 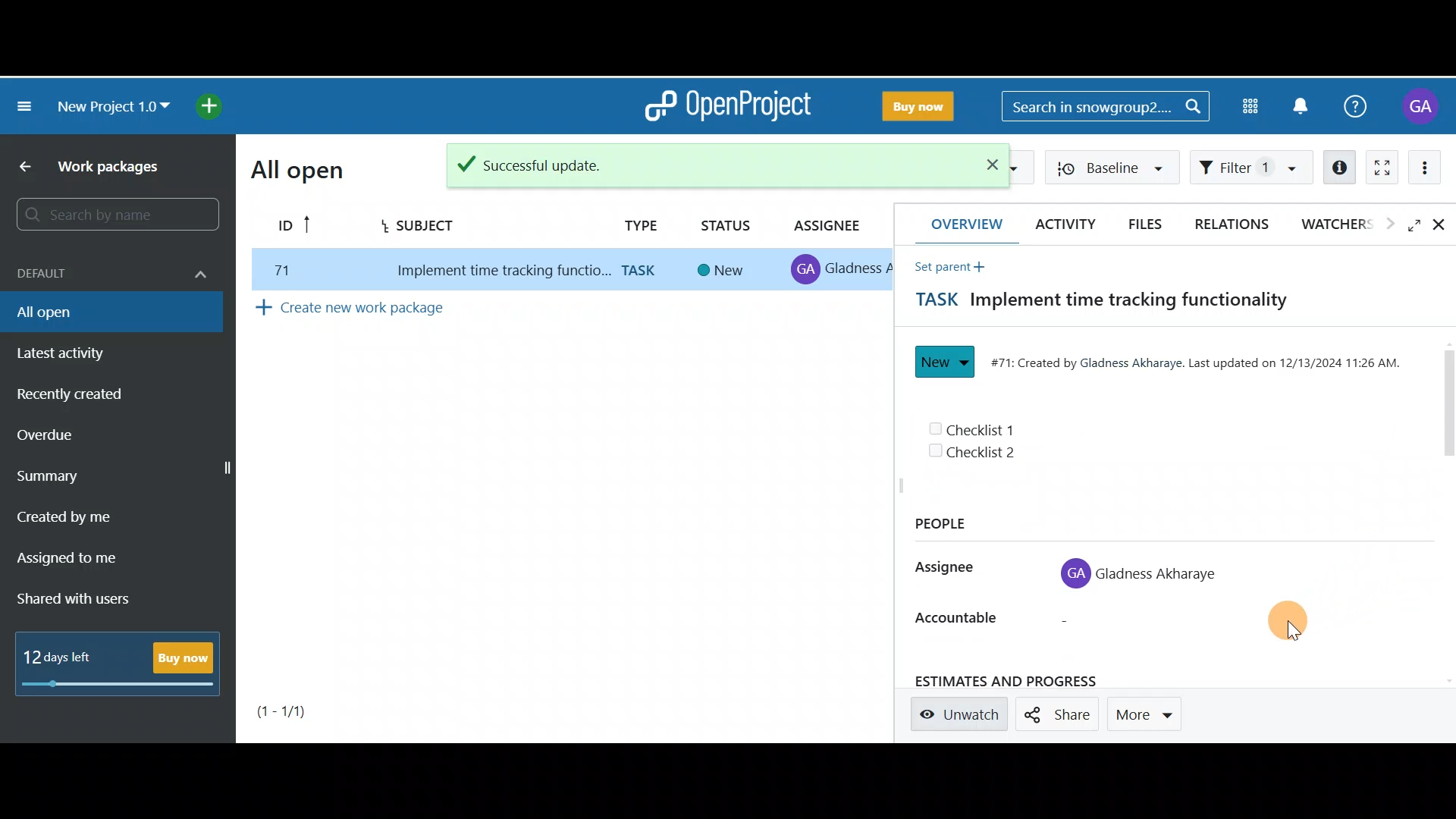 What do you see at coordinates (1233, 223) in the screenshot?
I see `Relations` at bounding box center [1233, 223].